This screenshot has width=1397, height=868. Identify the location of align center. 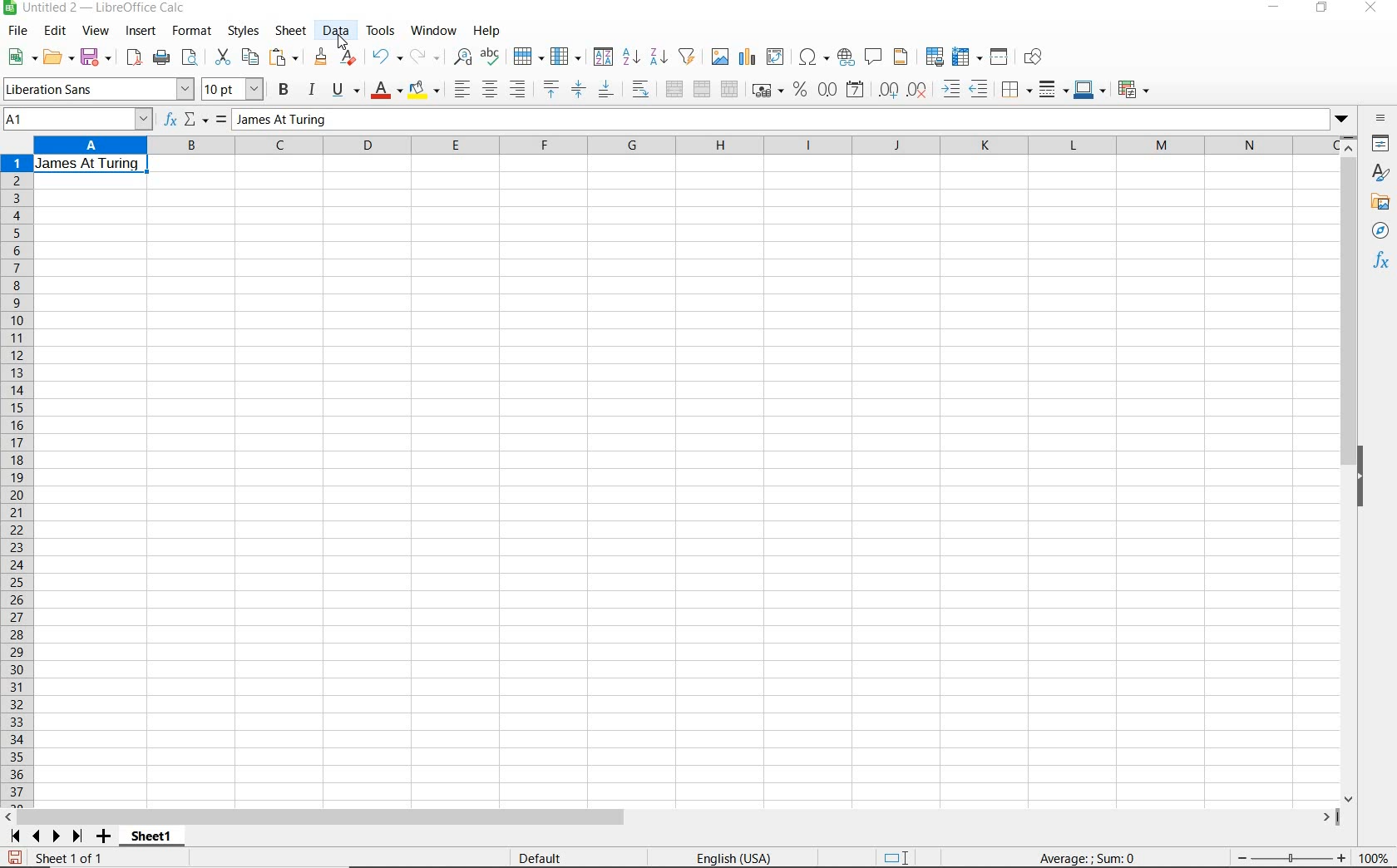
(489, 89).